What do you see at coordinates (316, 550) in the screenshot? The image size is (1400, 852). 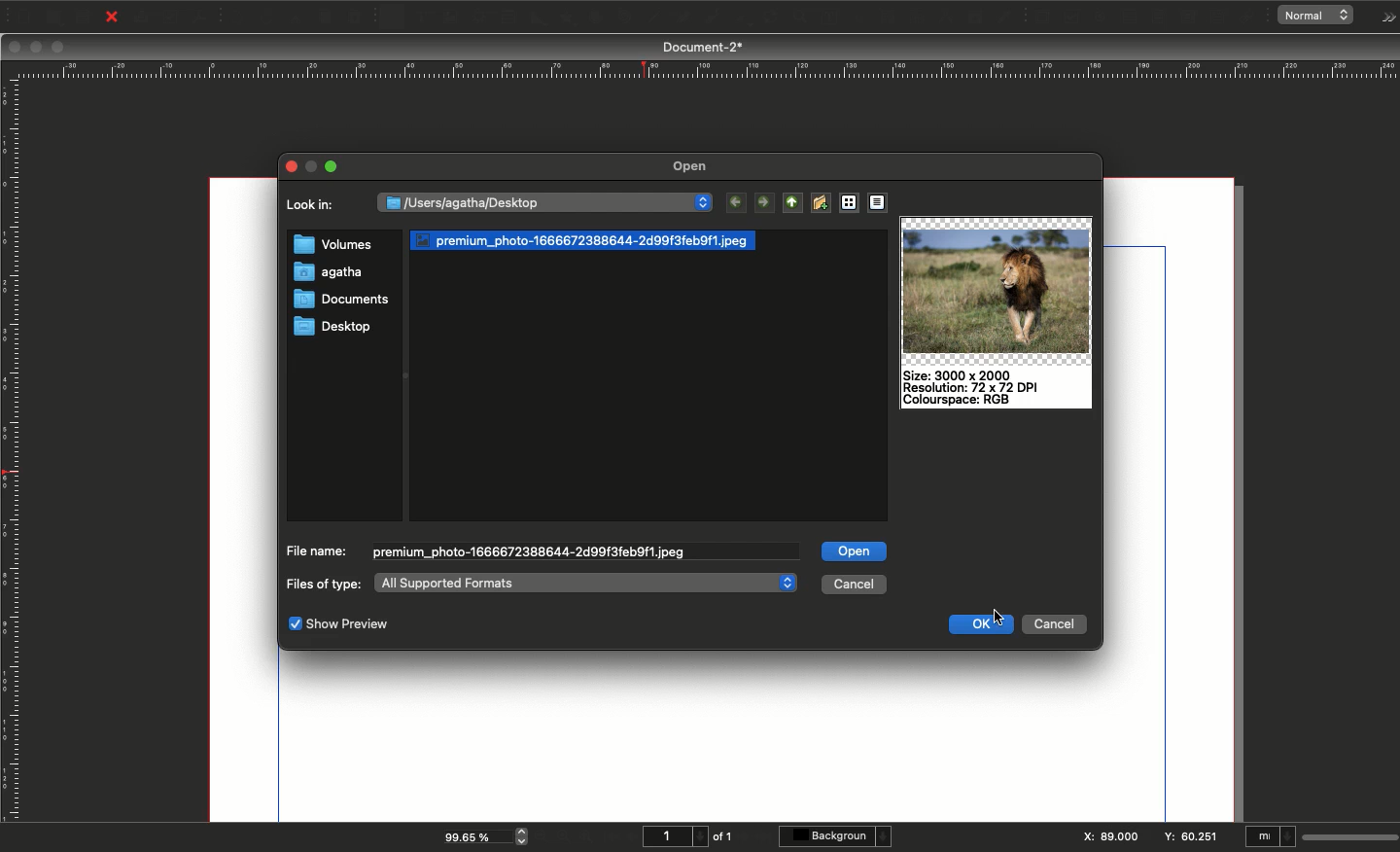 I see `File name` at bounding box center [316, 550].